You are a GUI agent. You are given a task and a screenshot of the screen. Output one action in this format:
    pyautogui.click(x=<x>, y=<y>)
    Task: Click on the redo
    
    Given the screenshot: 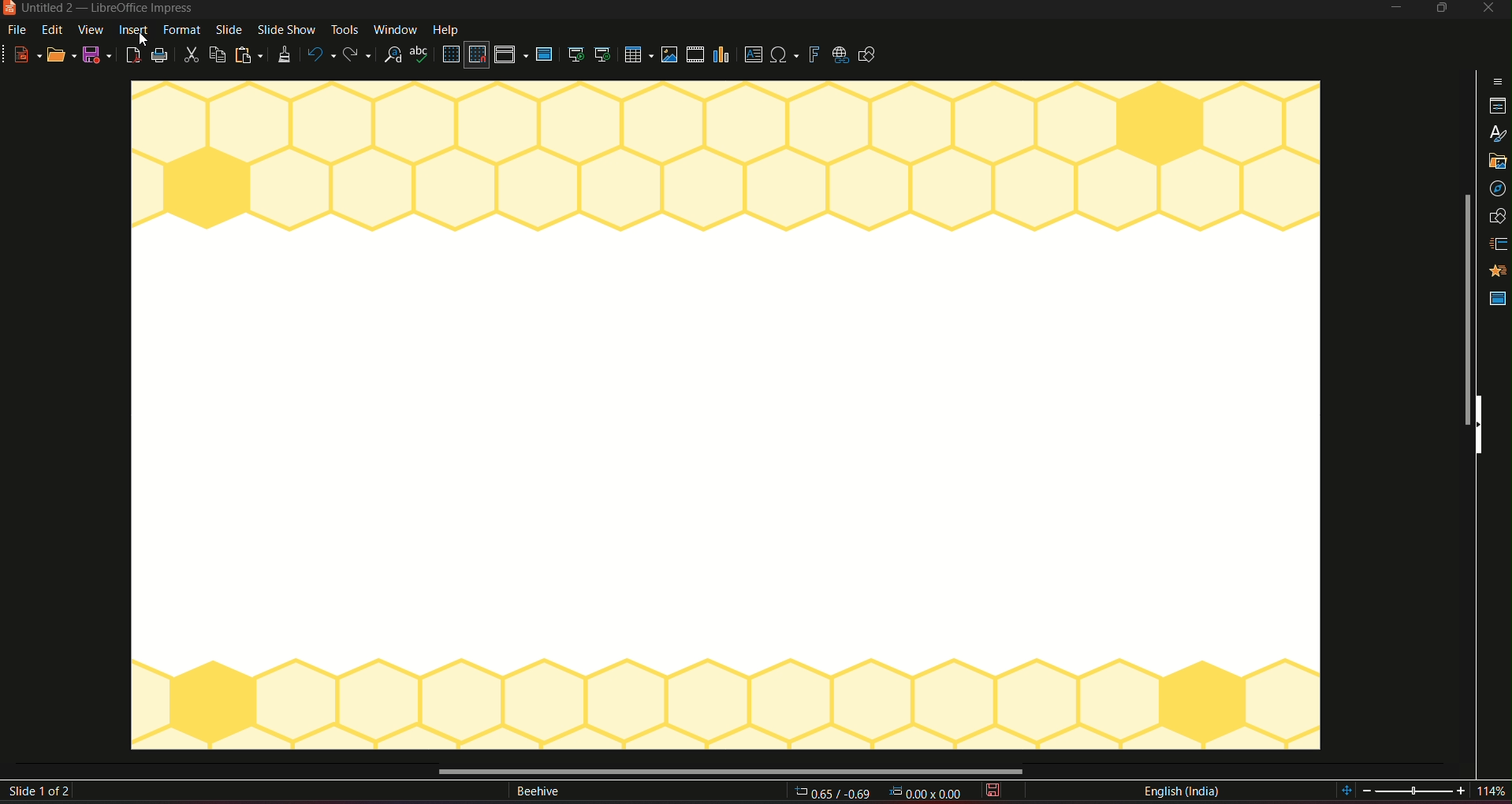 What is the action you would take?
    pyautogui.click(x=360, y=54)
    